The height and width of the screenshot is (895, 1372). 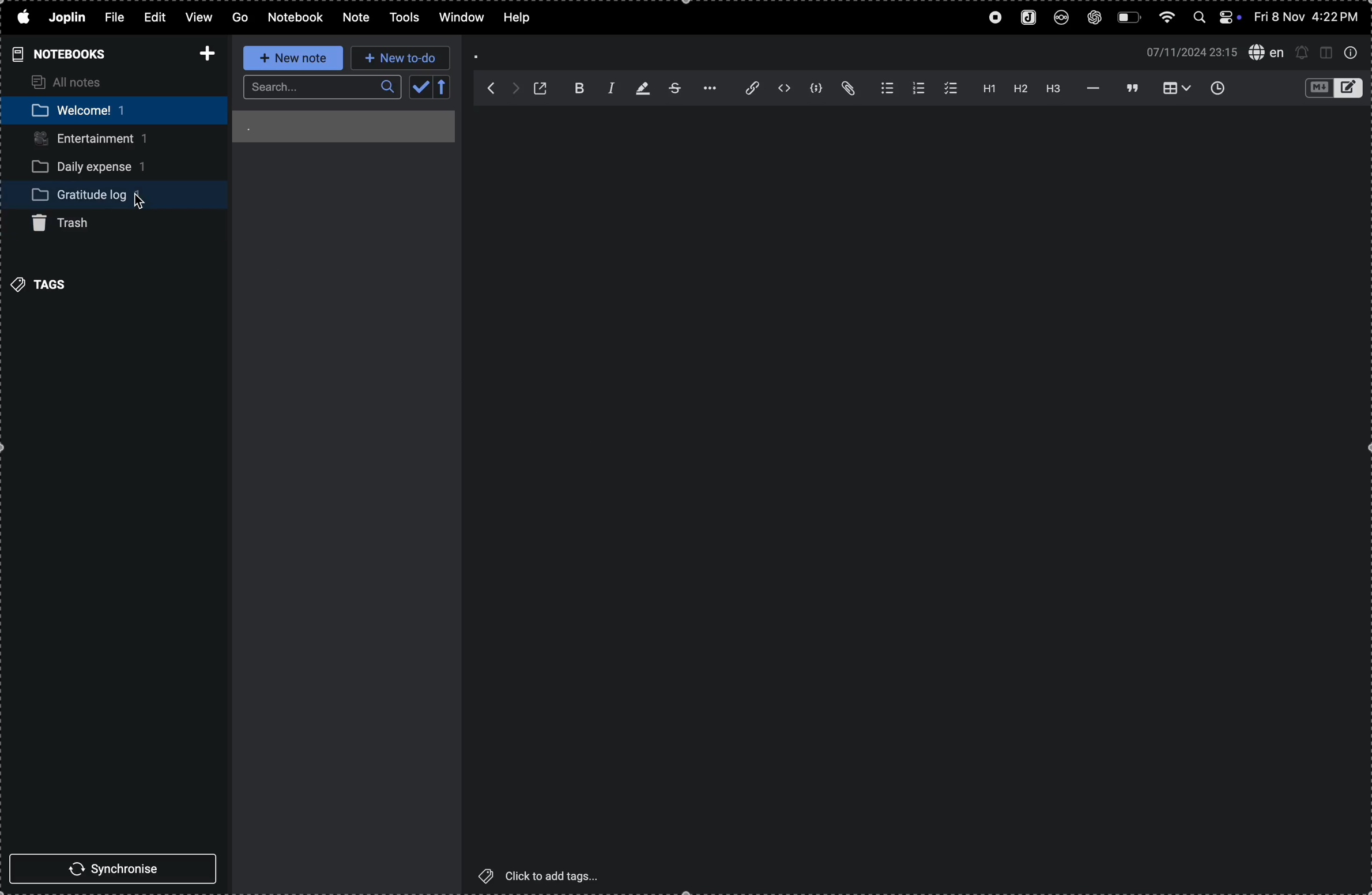 I want to click on welcome note book, so click(x=87, y=111).